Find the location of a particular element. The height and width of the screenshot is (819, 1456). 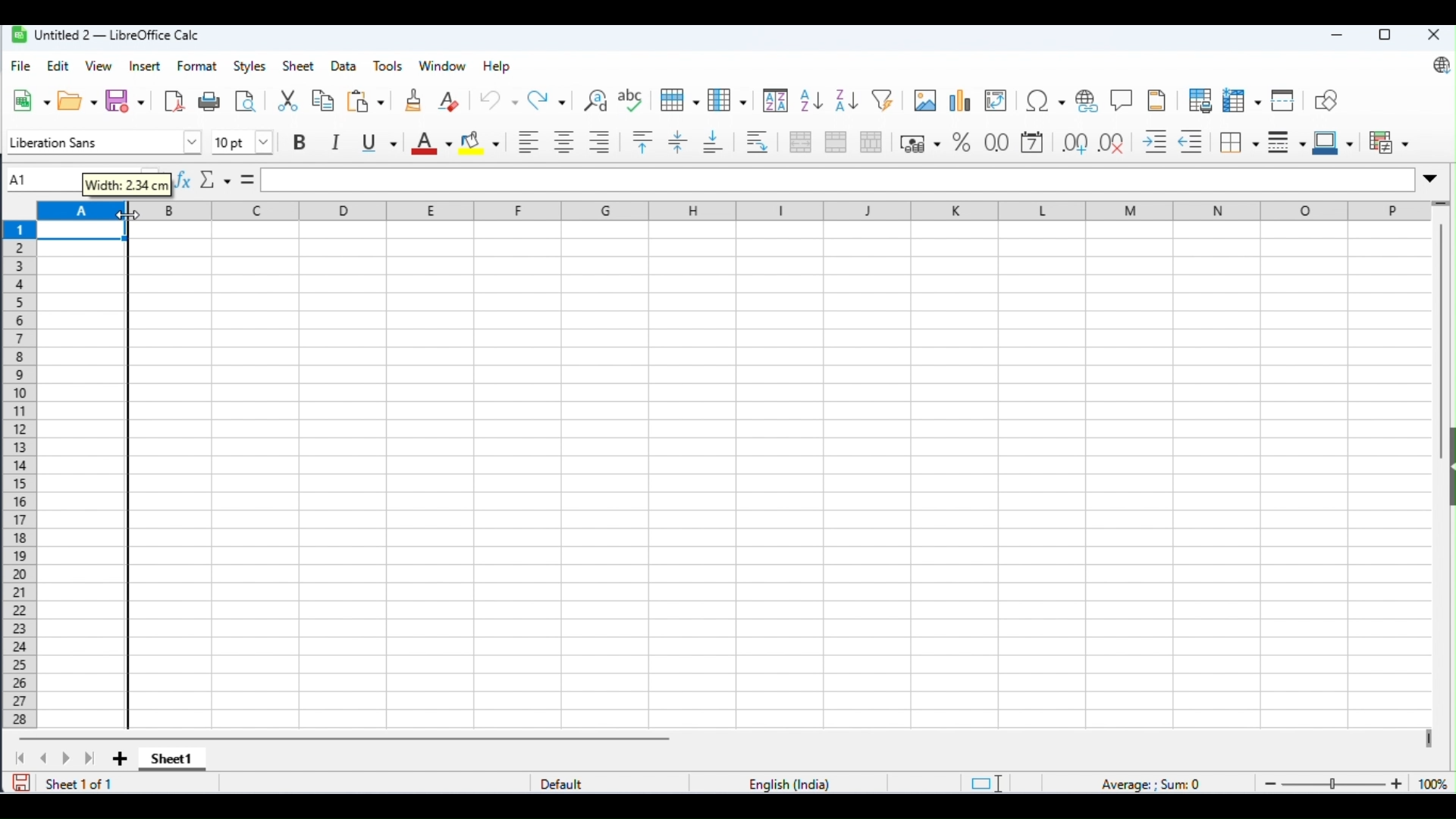

enter vertically is located at coordinates (679, 142).